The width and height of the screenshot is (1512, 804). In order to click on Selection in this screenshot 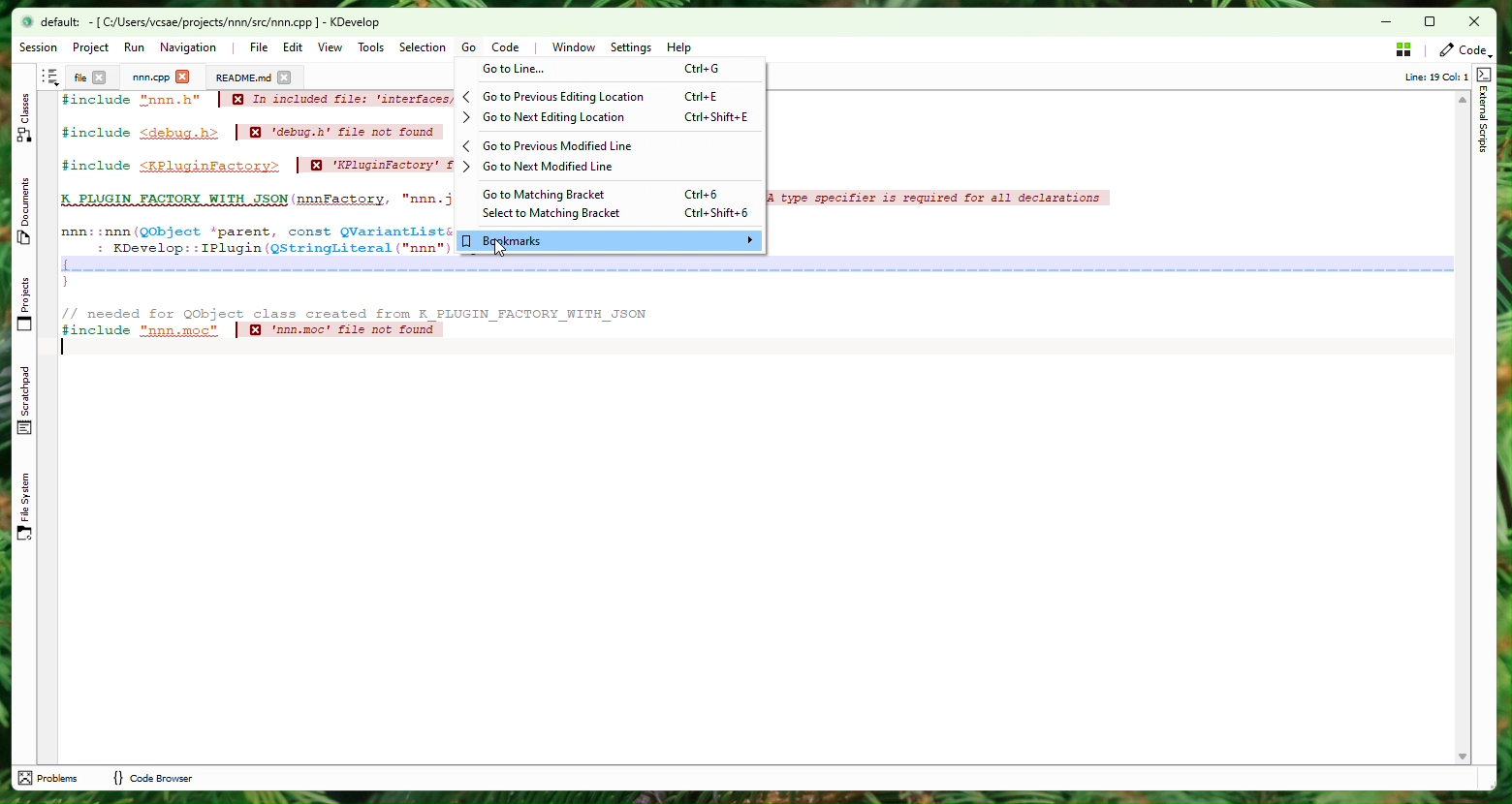, I will do `click(418, 47)`.